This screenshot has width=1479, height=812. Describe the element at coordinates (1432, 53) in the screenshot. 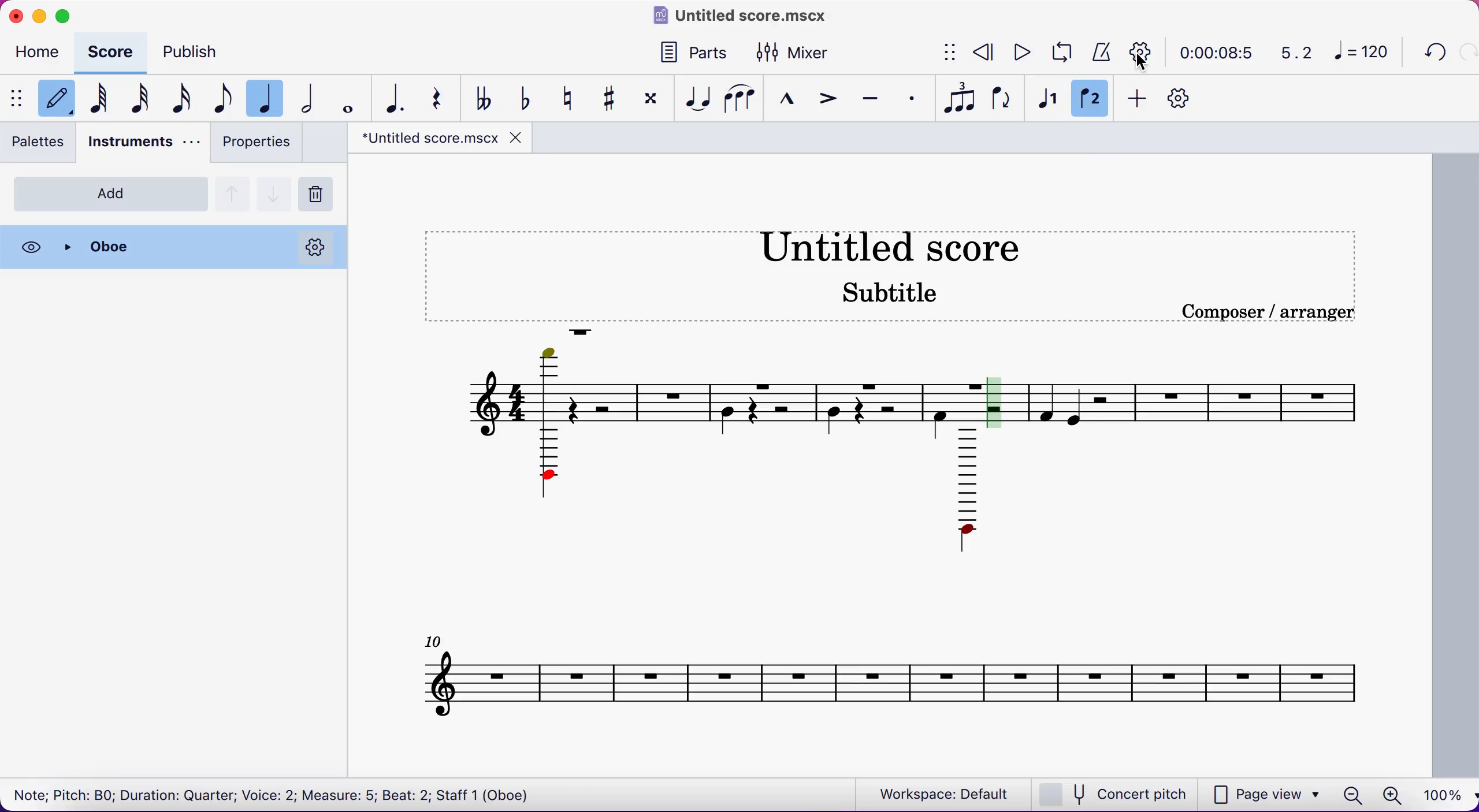

I see `undp` at that location.